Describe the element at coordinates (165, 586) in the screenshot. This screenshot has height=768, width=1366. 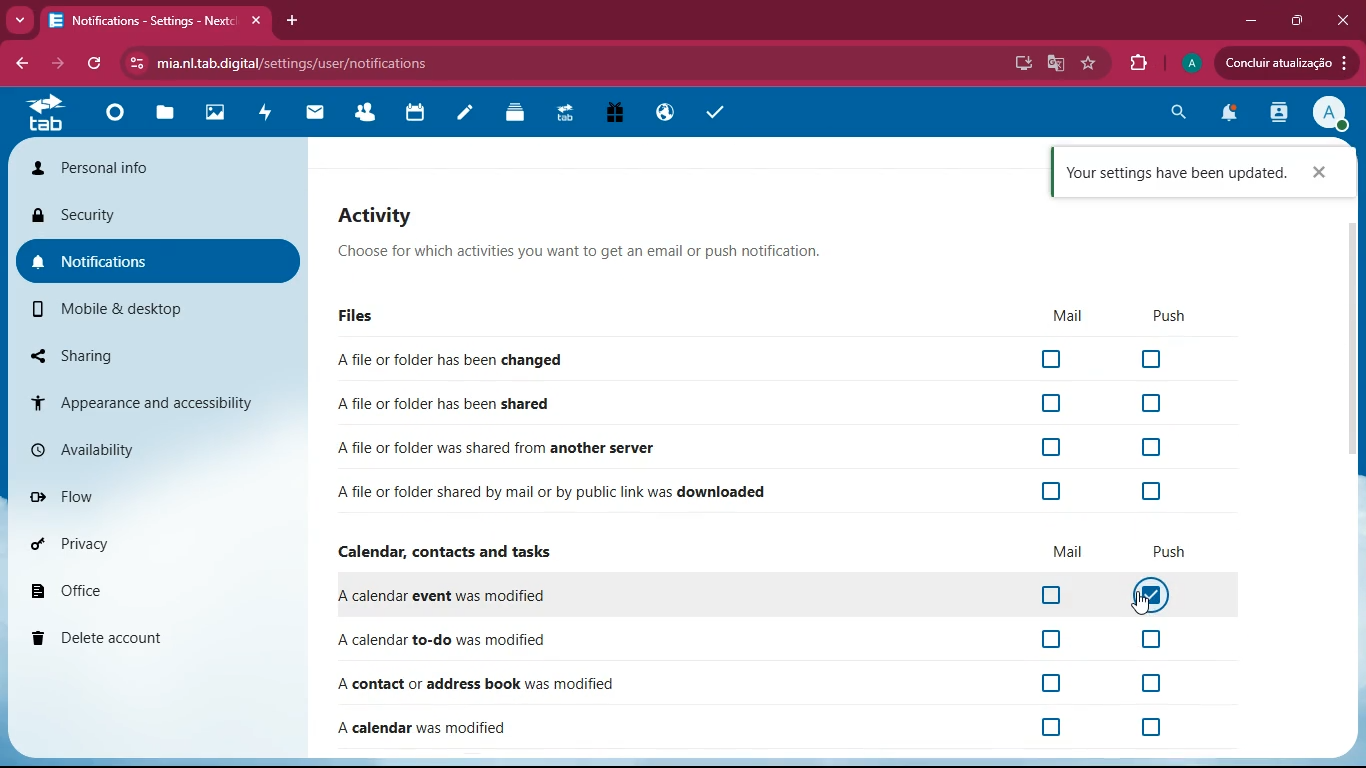
I see `office` at that location.